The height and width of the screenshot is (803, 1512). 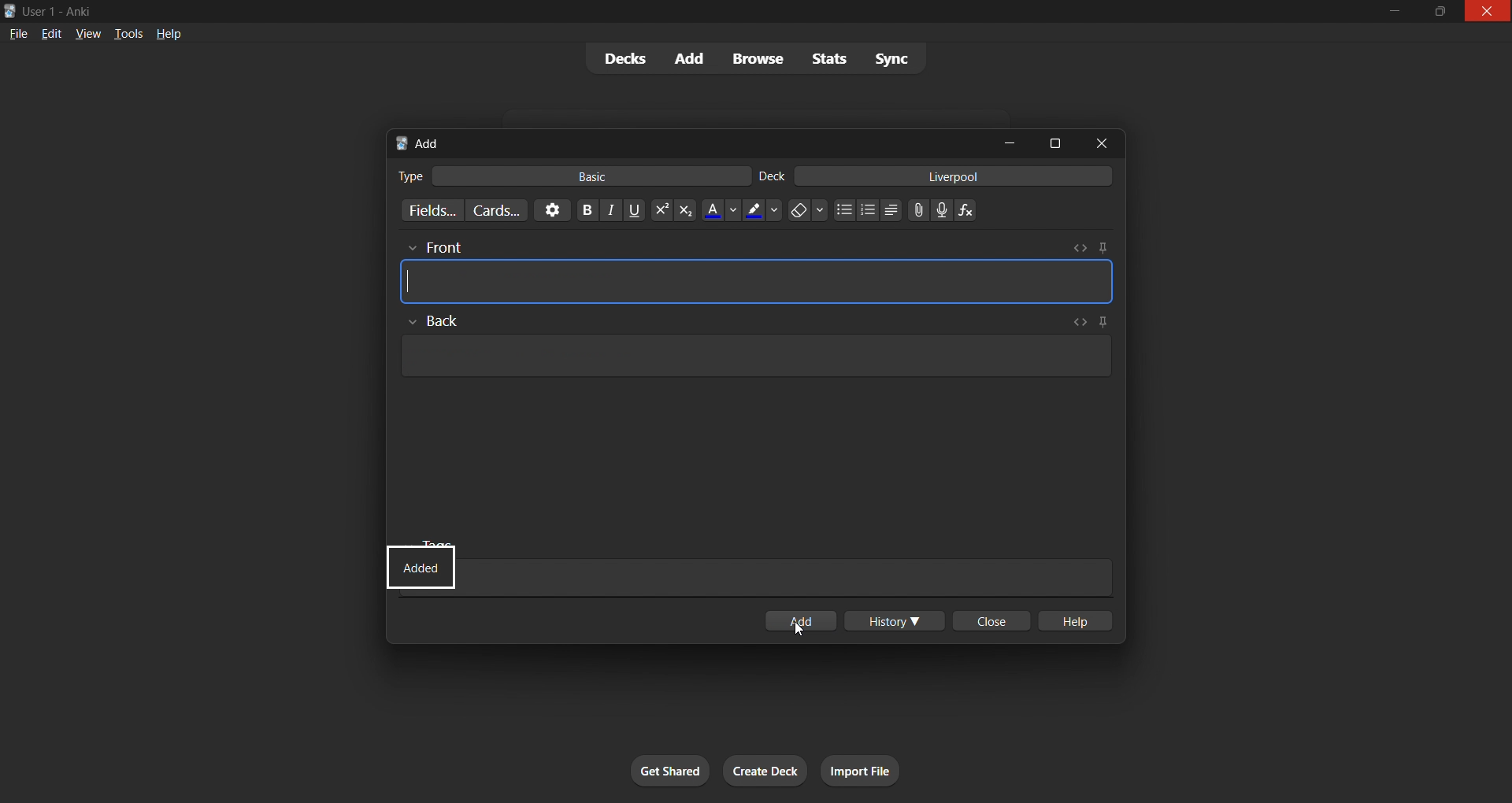 What do you see at coordinates (634, 210) in the screenshot?
I see `underline` at bounding box center [634, 210].